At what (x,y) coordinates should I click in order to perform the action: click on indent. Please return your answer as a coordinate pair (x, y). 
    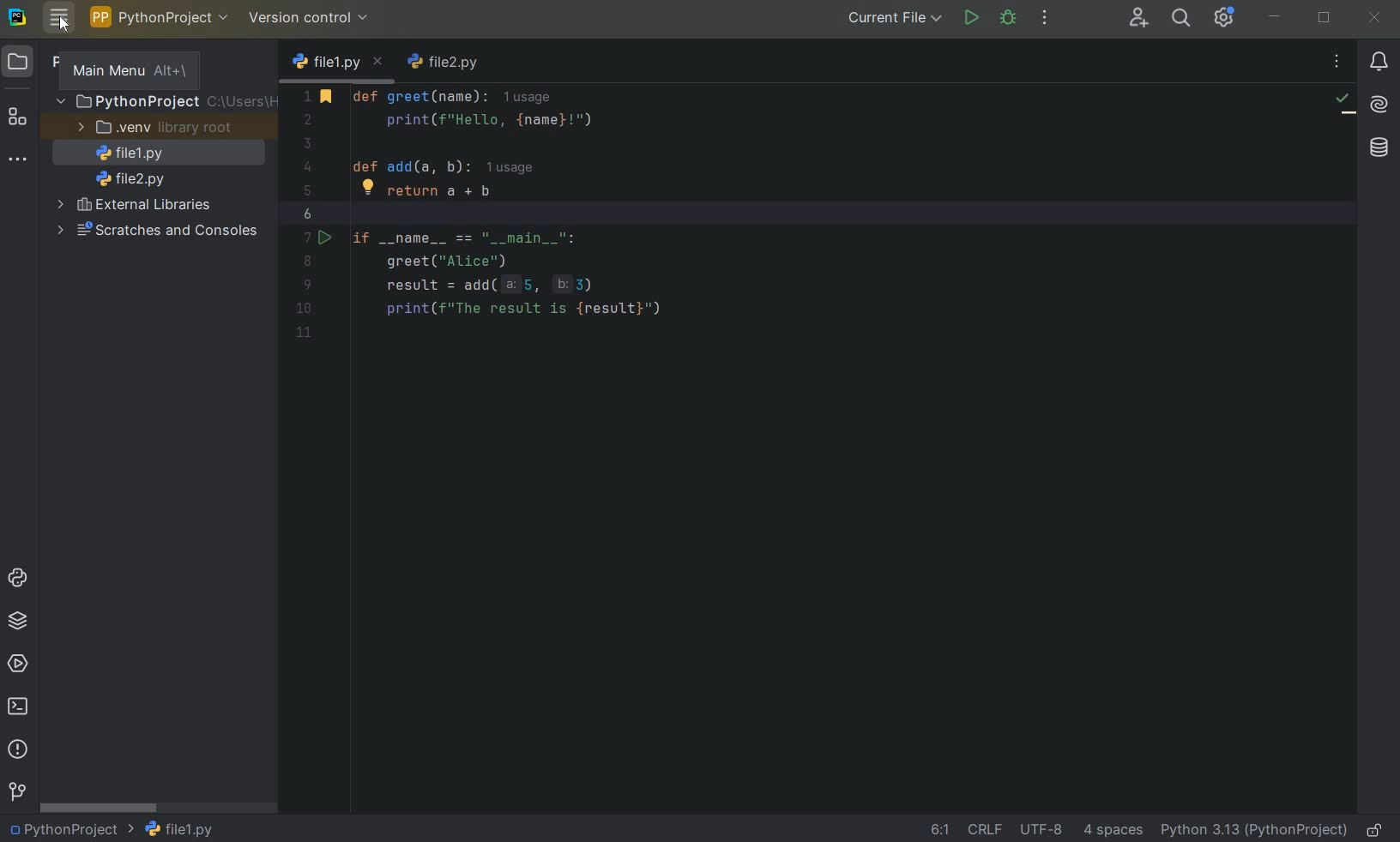
    Looking at the image, I should click on (1115, 830).